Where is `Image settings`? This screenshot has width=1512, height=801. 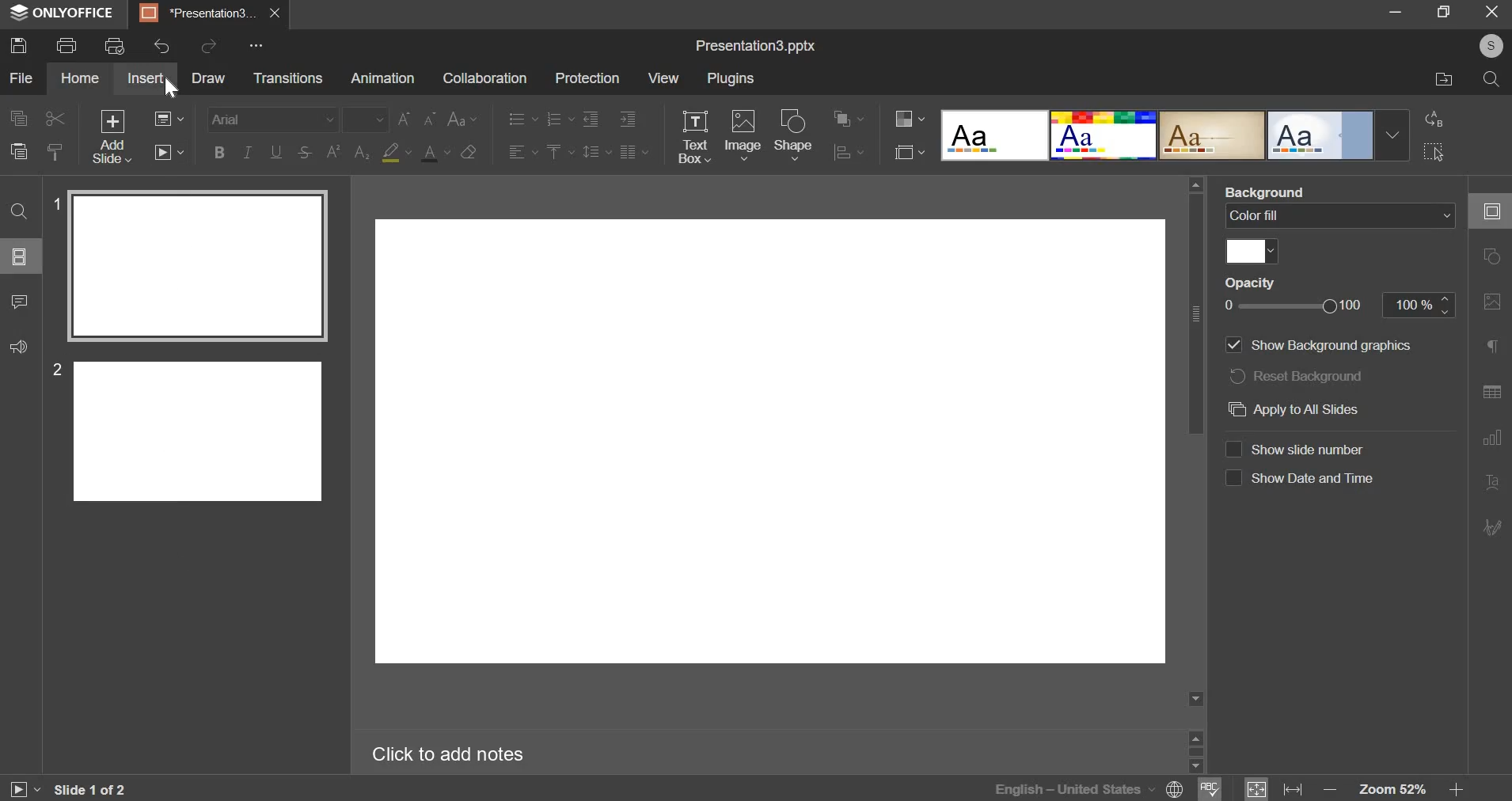
Image settings is located at coordinates (1492, 302).